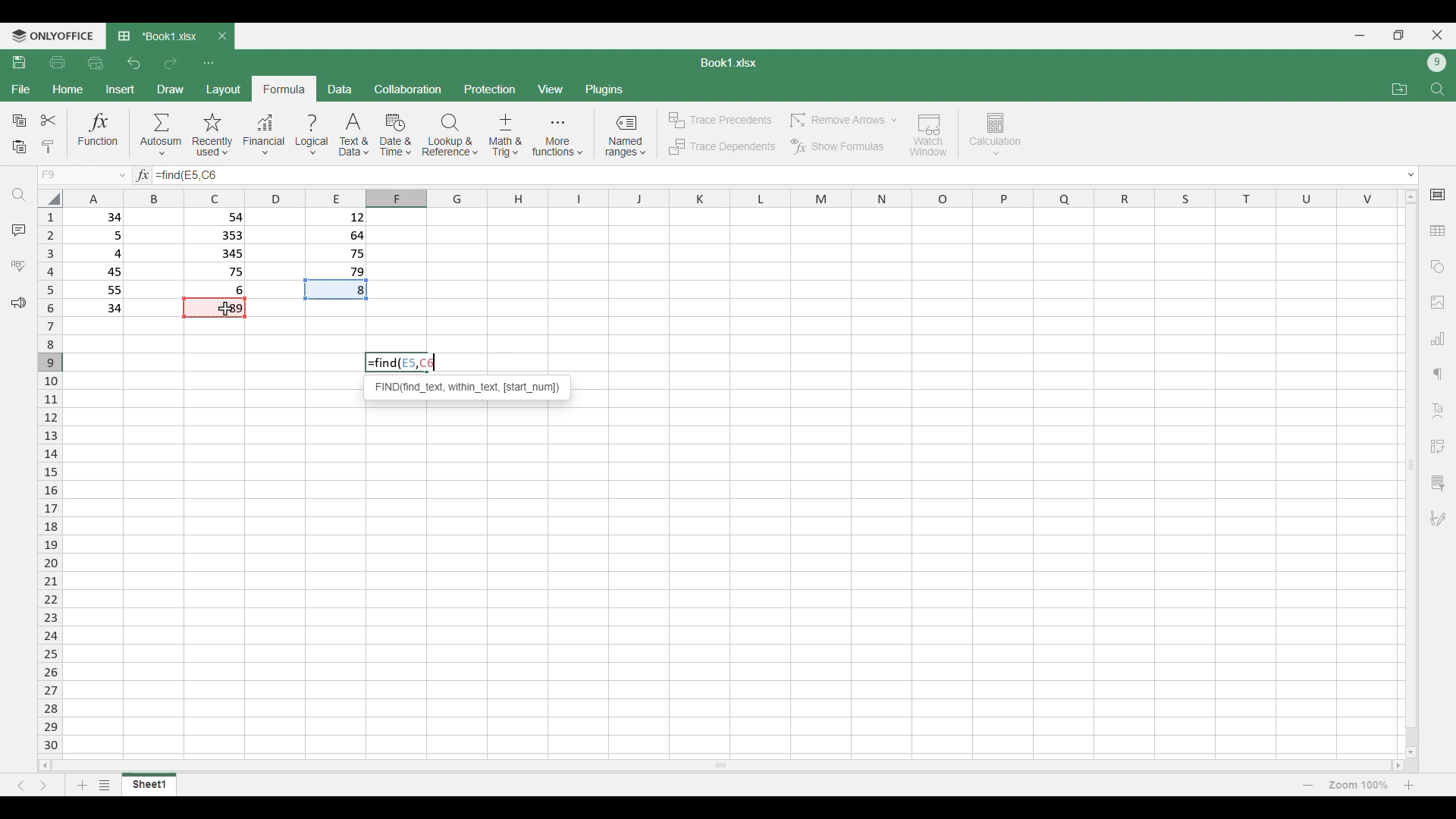  What do you see at coordinates (52, 36) in the screenshot?
I see `Software logo and name` at bounding box center [52, 36].